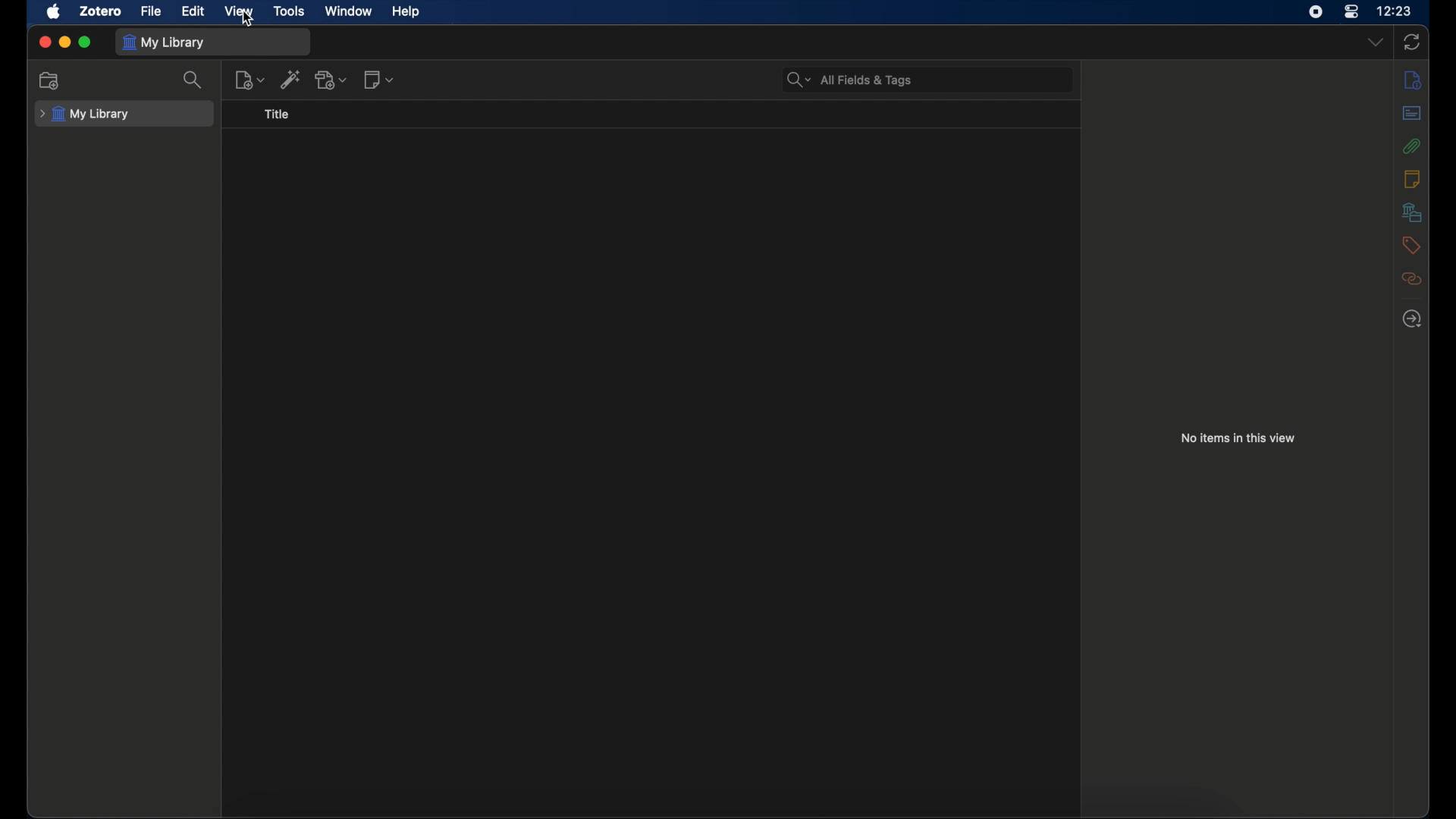 The width and height of the screenshot is (1456, 819). I want to click on new notes, so click(379, 80).